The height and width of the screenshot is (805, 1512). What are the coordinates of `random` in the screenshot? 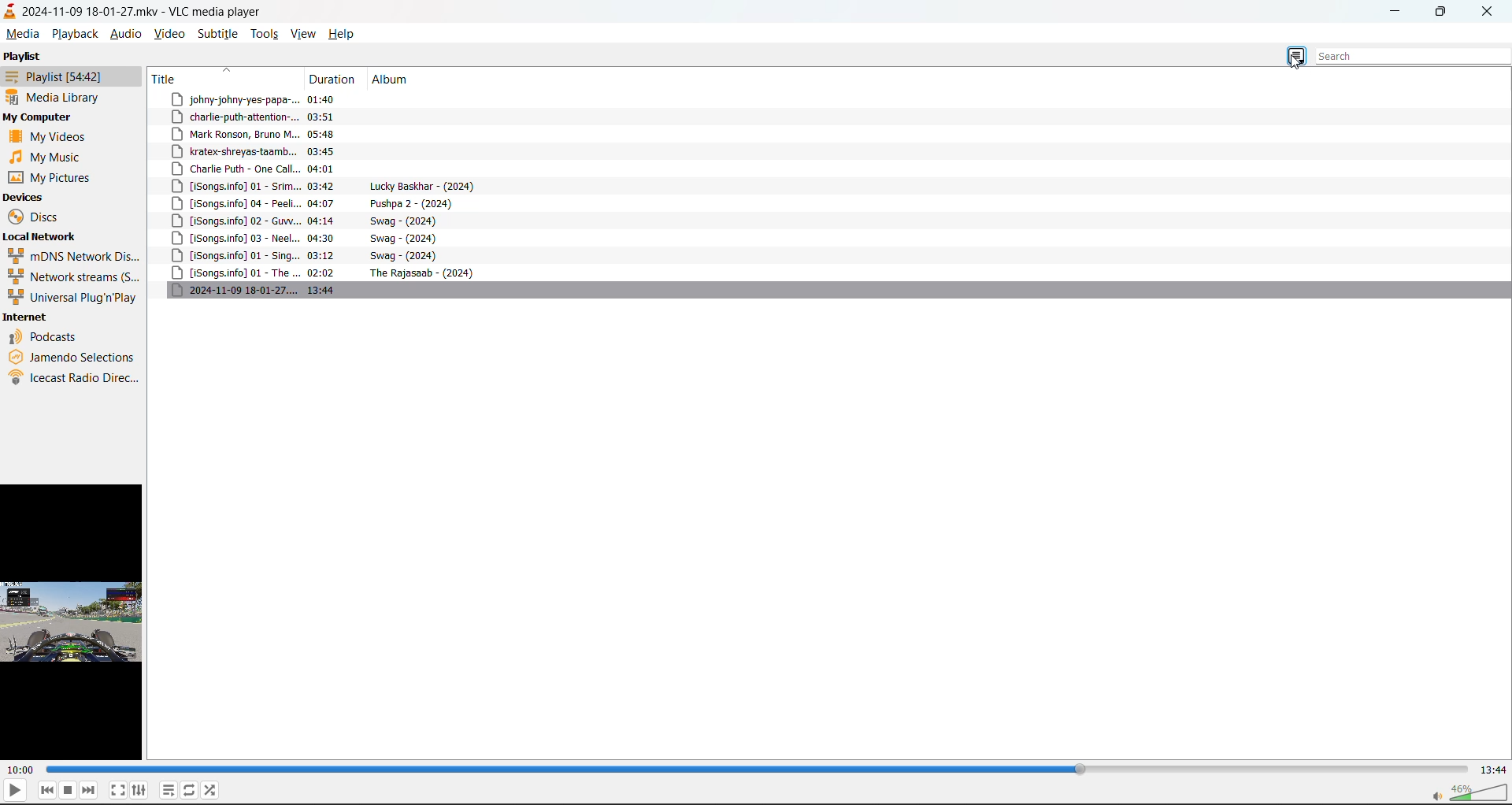 It's located at (213, 788).